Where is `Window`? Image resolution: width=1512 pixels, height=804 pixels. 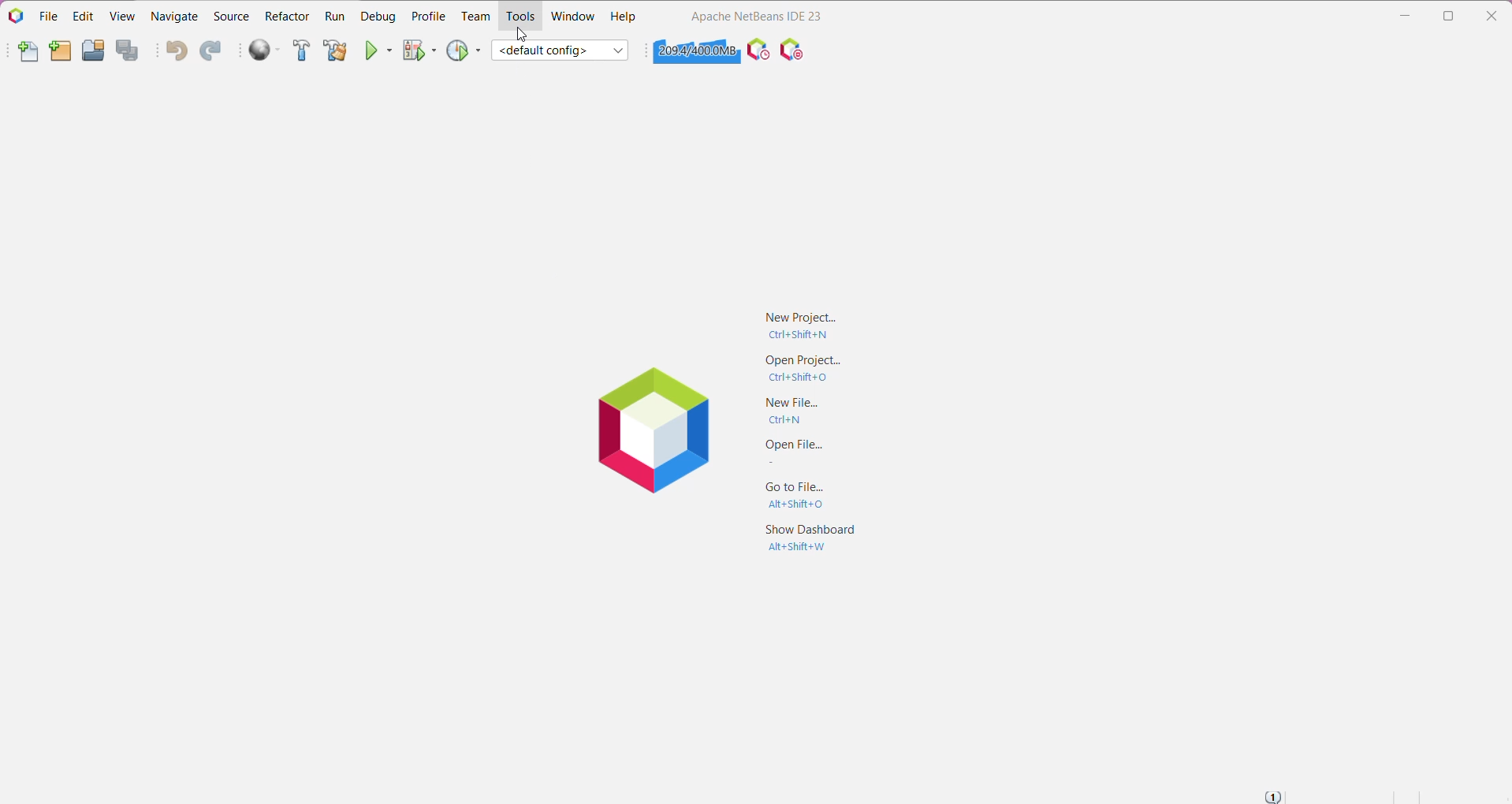 Window is located at coordinates (572, 16).